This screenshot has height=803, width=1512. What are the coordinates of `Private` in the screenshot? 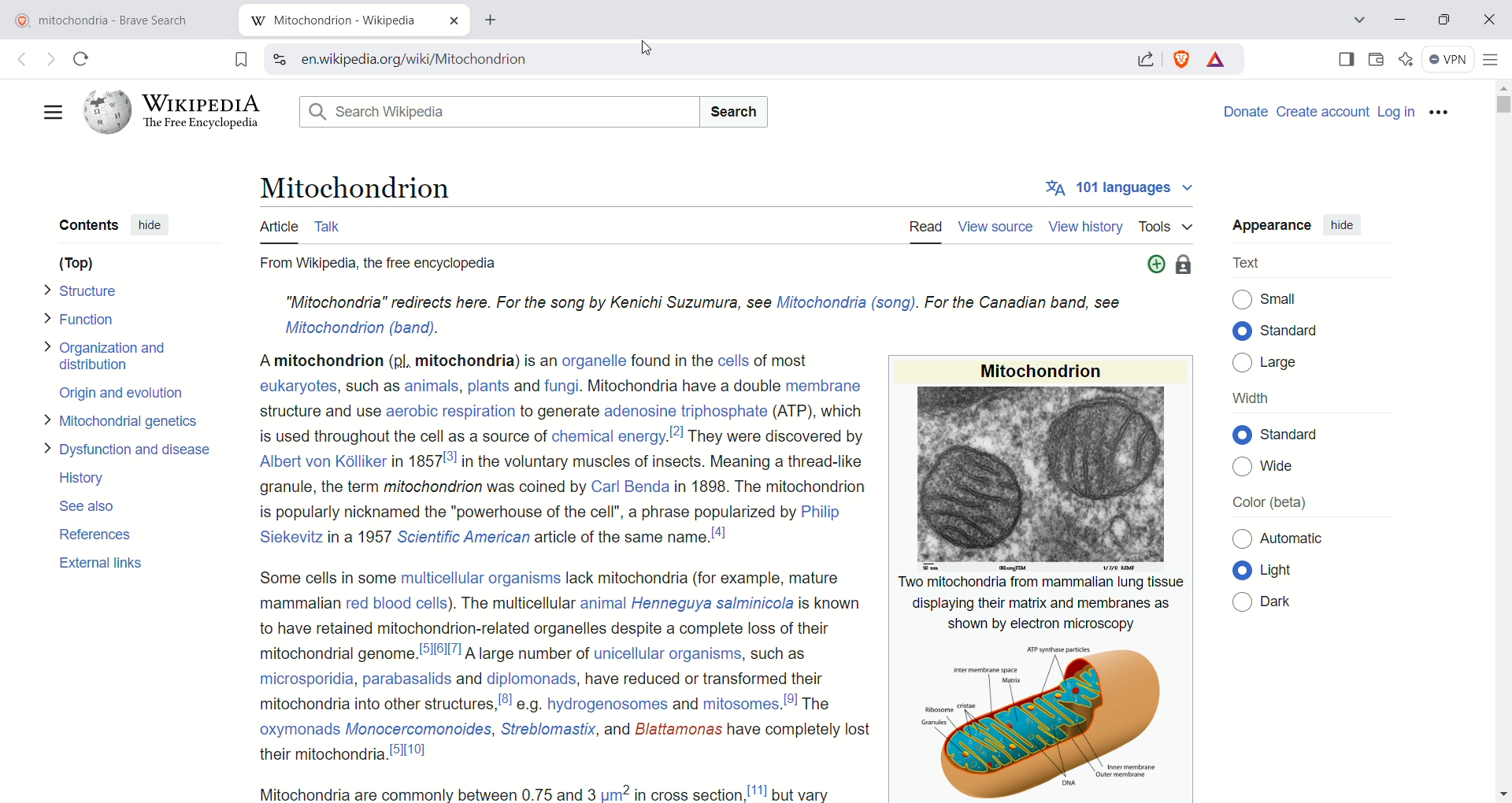 It's located at (1186, 266).